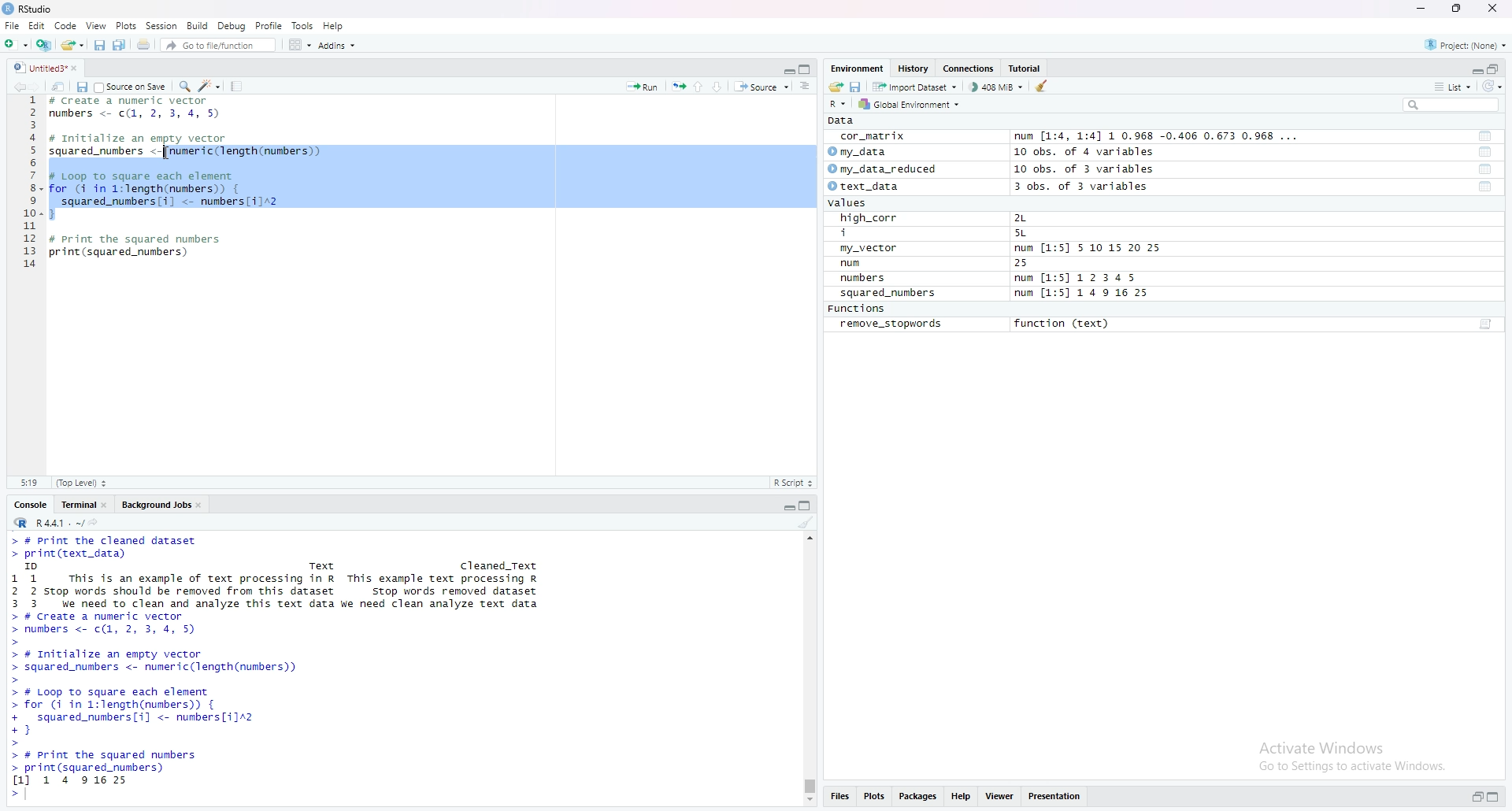 This screenshot has width=1512, height=811. What do you see at coordinates (209, 85) in the screenshot?
I see `code tools` at bounding box center [209, 85].